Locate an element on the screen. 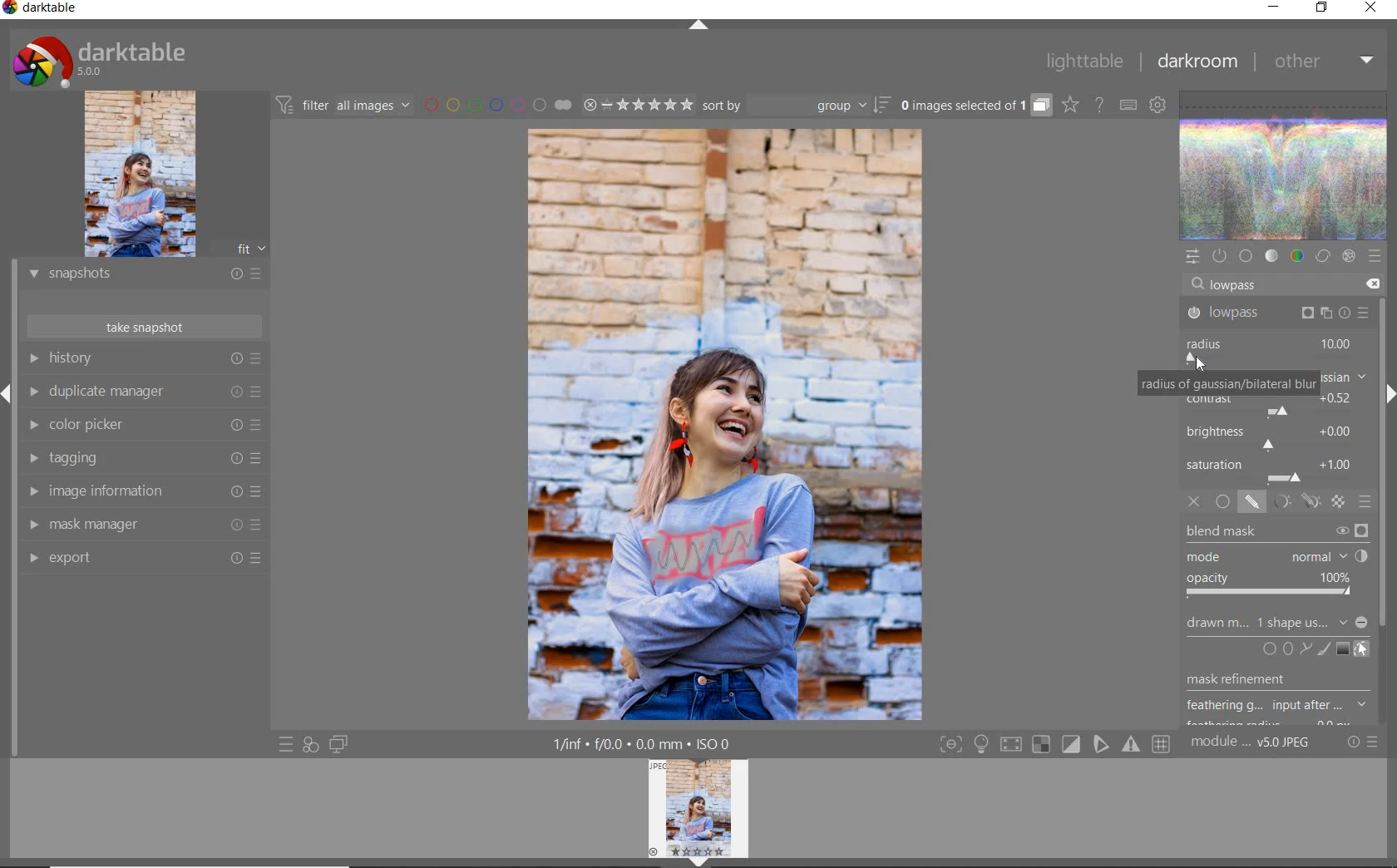 This screenshot has width=1397, height=868. Toggle modes is located at coordinates (1054, 745).